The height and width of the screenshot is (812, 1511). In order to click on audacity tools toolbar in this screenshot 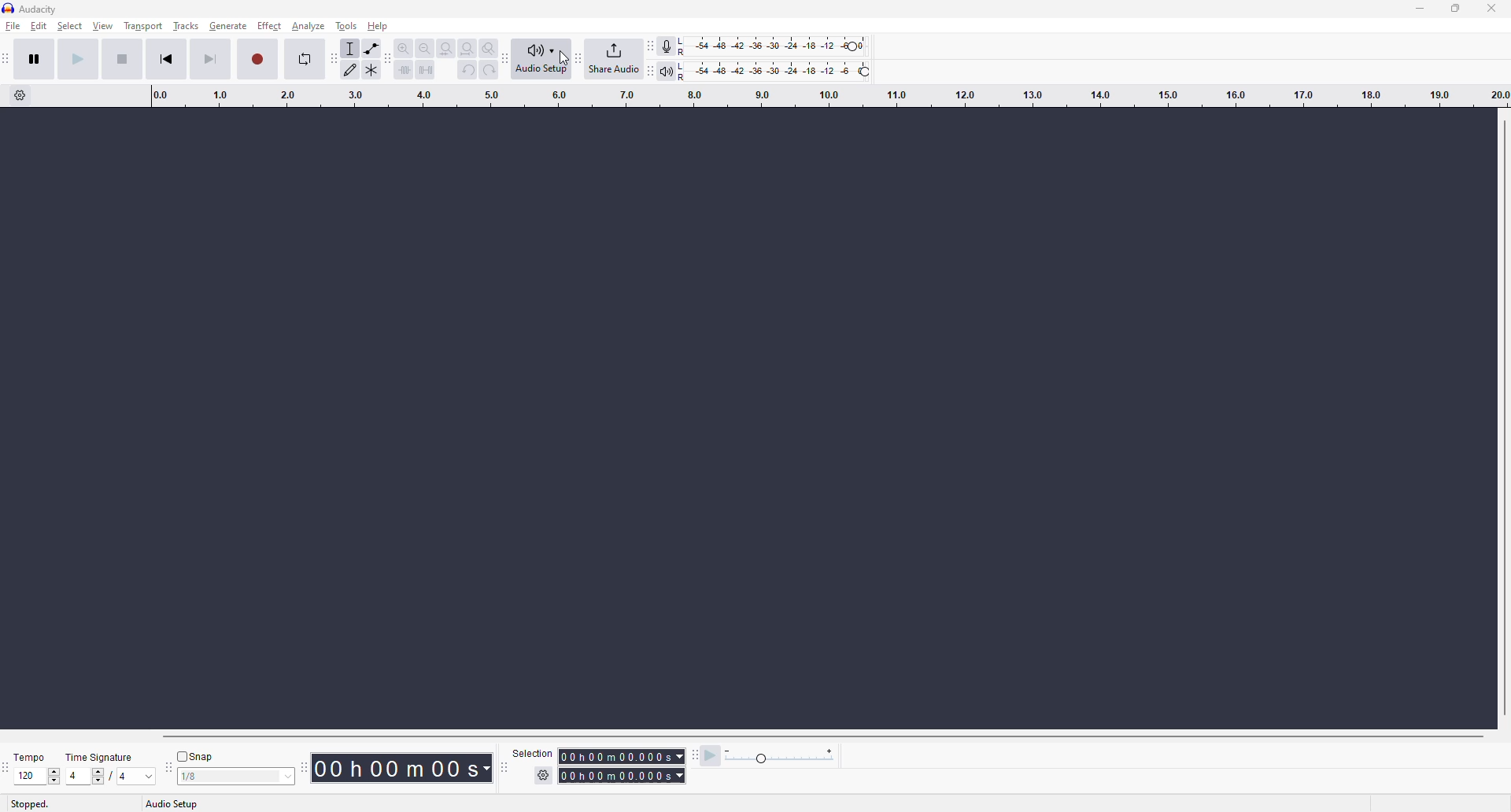, I will do `click(334, 58)`.